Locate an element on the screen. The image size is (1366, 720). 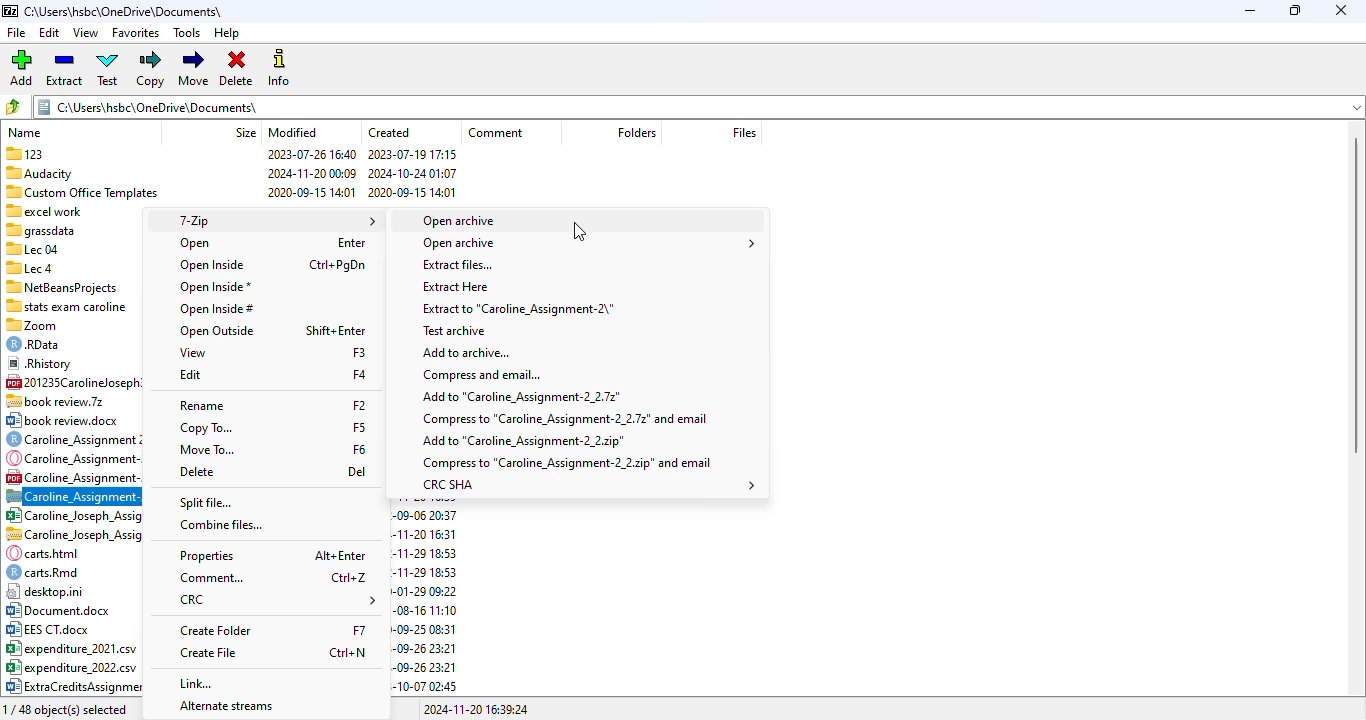
shortcut for view is located at coordinates (359, 352).